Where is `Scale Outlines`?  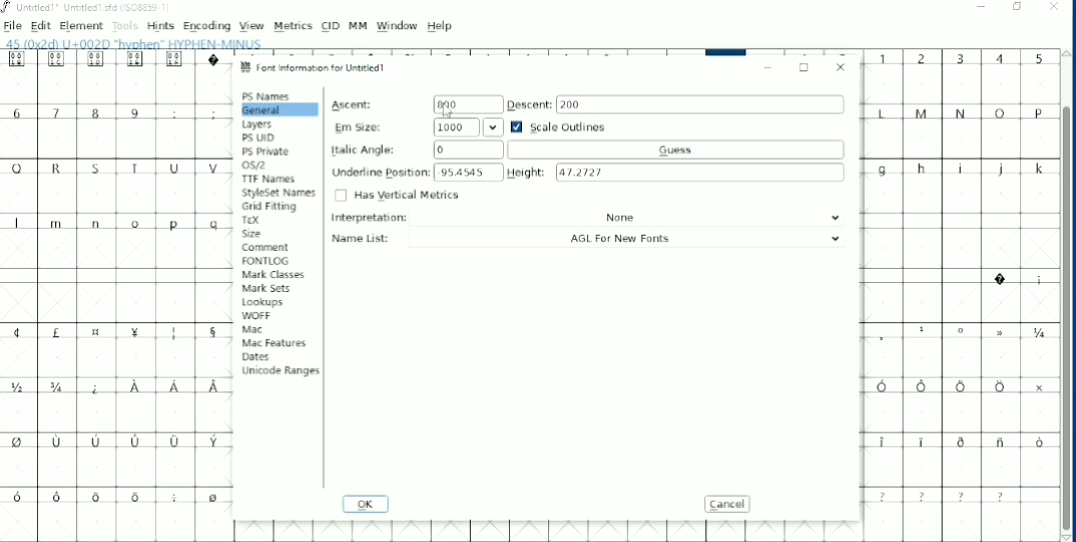
Scale Outlines is located at coordinates (559, 126).